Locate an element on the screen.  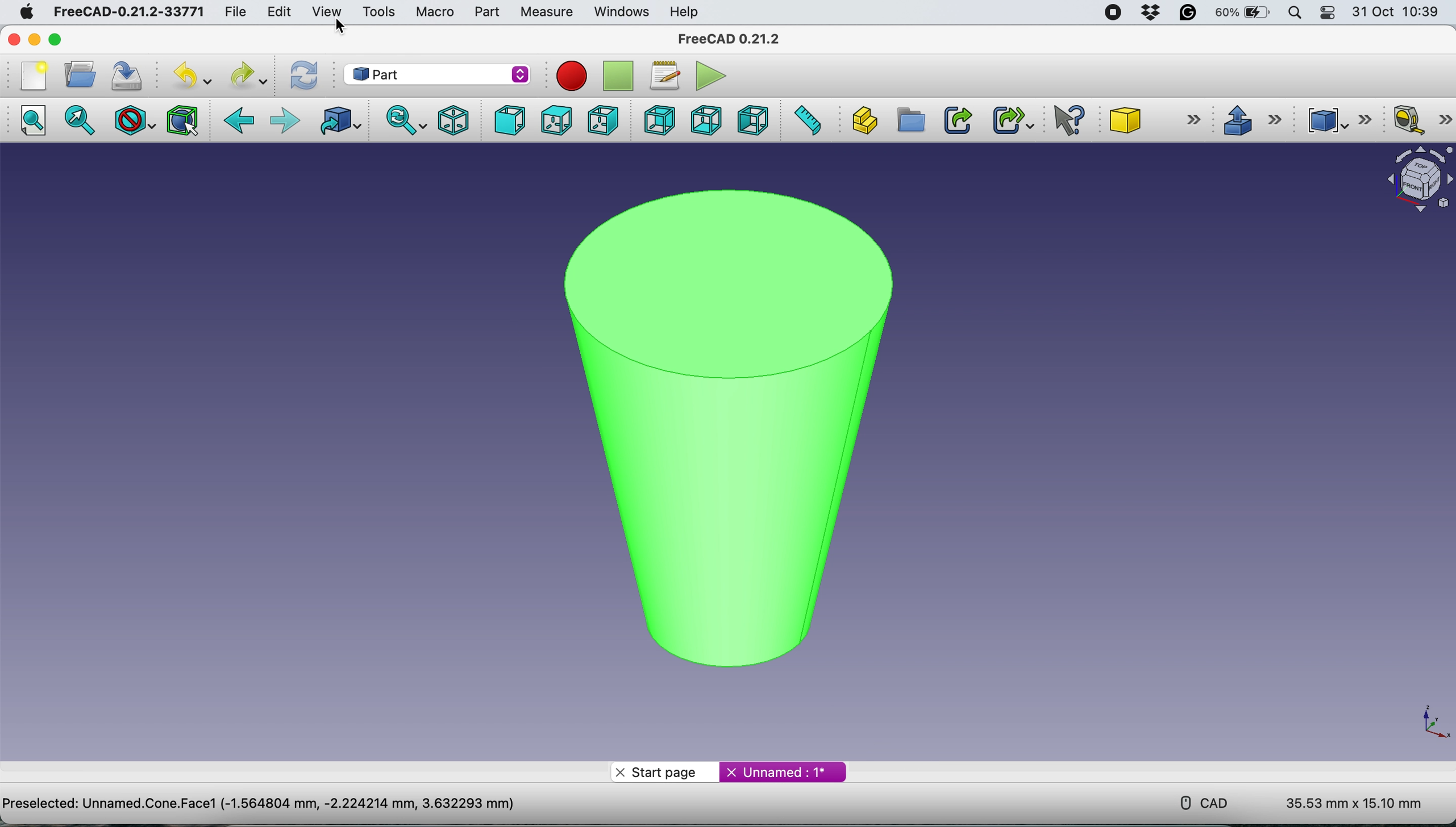
cursor is located at coordinates (336, 27).